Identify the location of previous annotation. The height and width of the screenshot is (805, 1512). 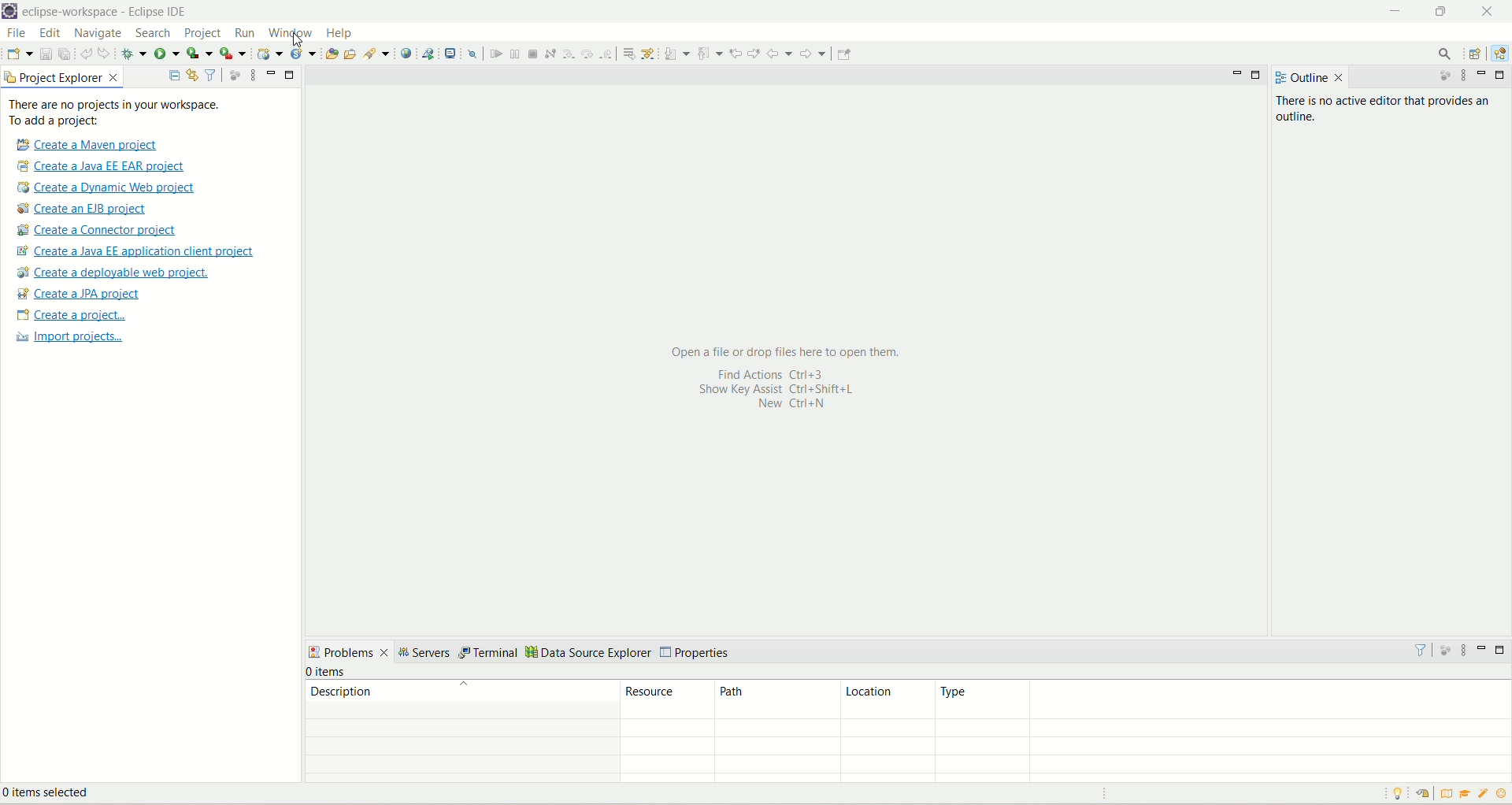
(710, 53).